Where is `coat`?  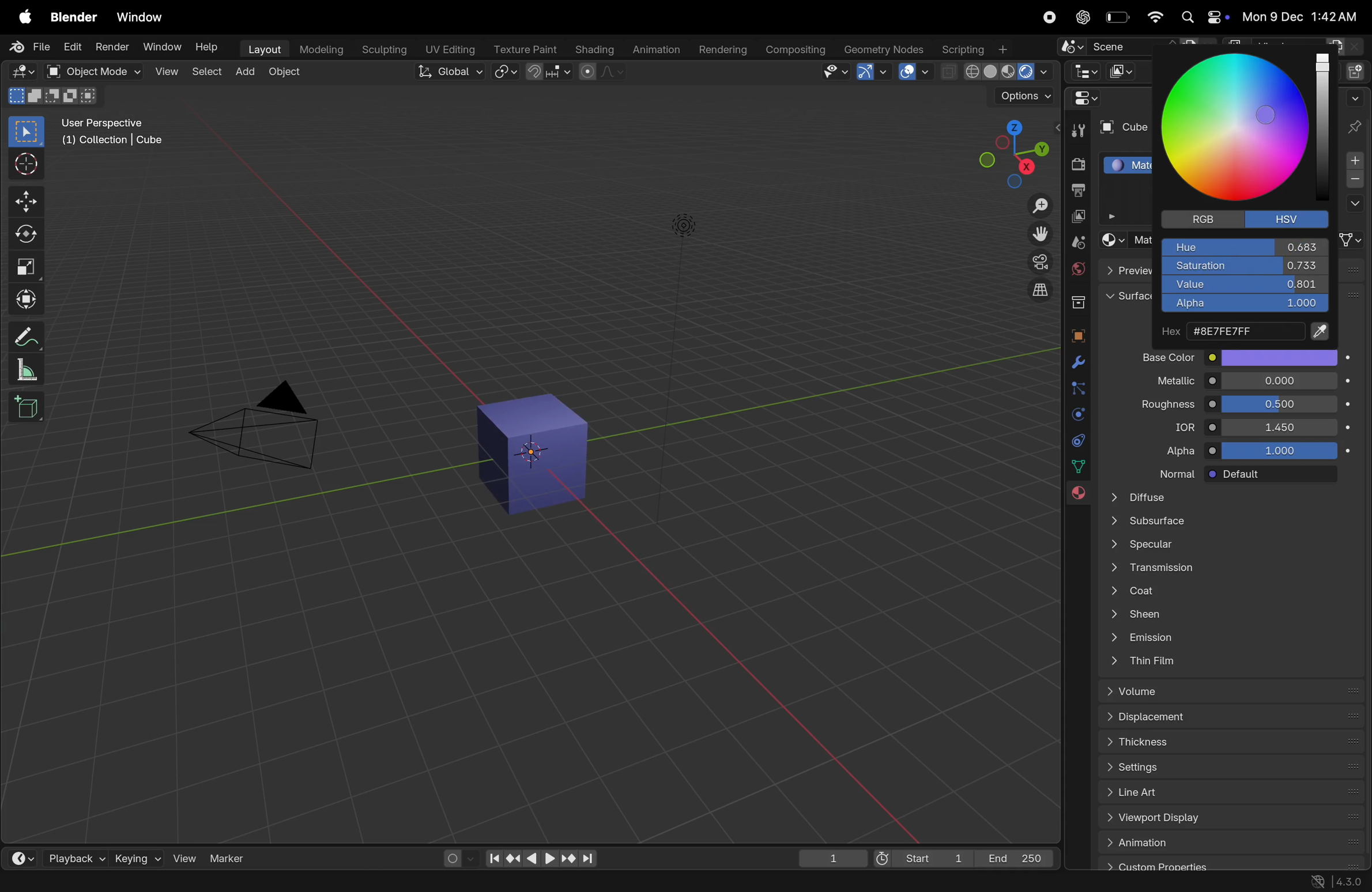 coat is located at coordinates (1223, 593).